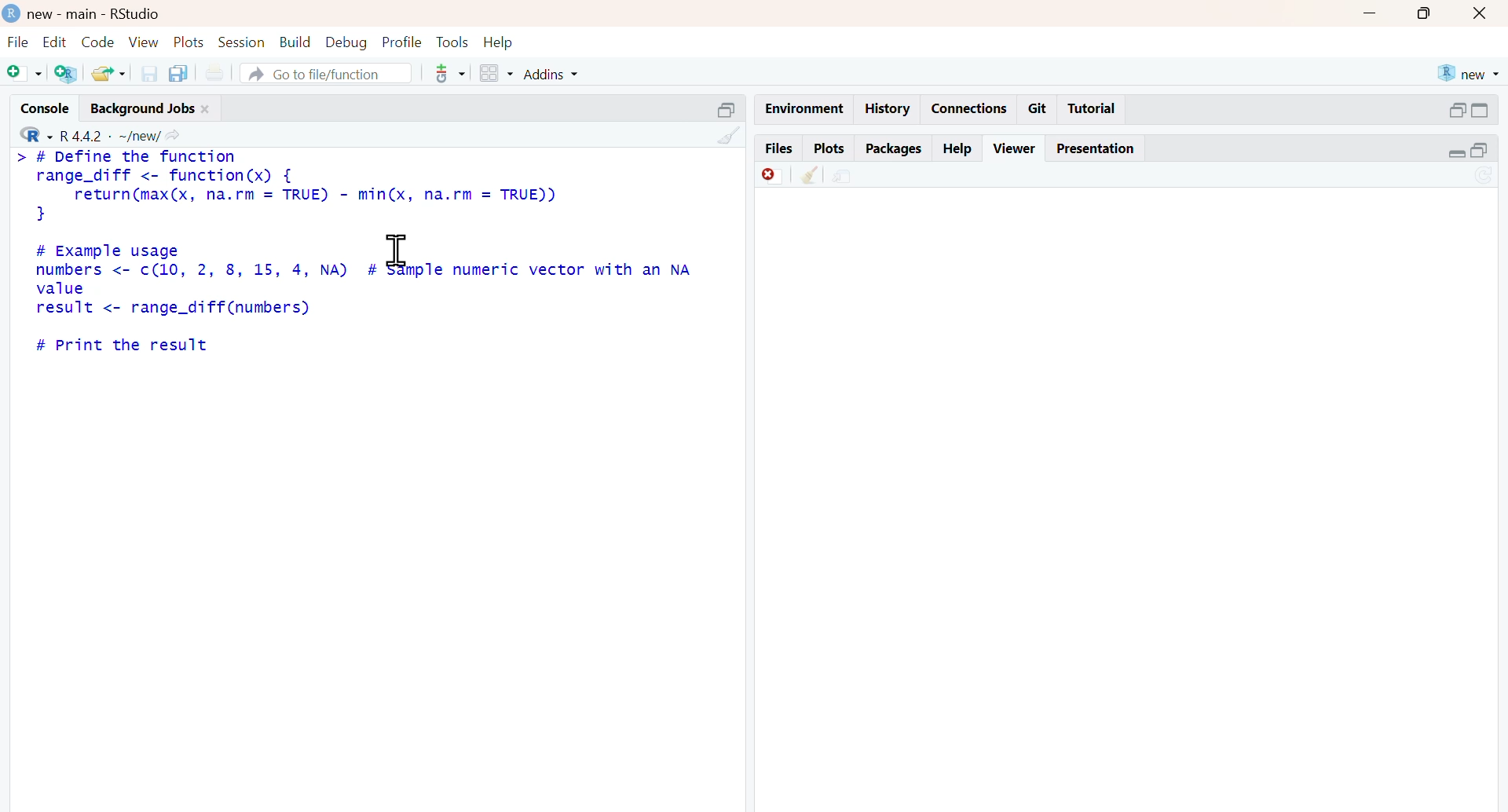  Describe the element at coordinates (1038, 108) in the screenshot. I see `git` at that location.